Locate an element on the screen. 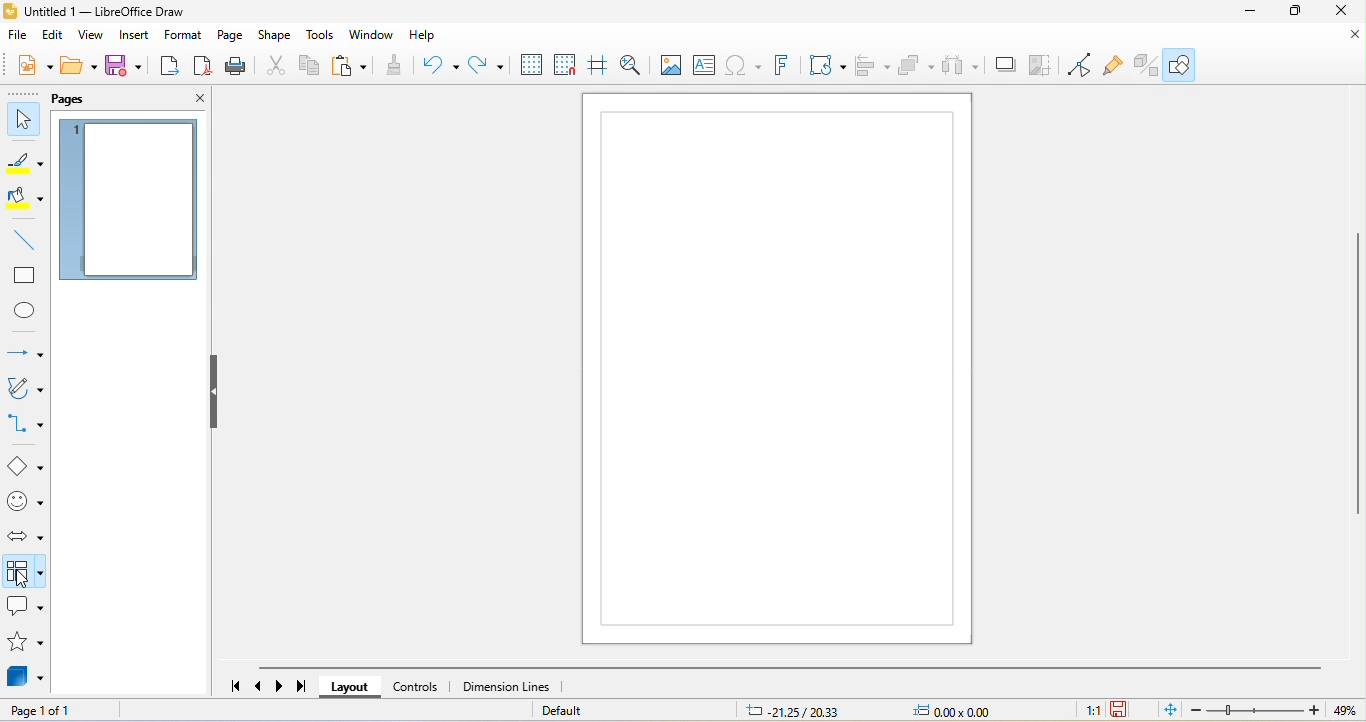 This screenshot has width=1366, height=722. edit is located at coordinates (55, 36).